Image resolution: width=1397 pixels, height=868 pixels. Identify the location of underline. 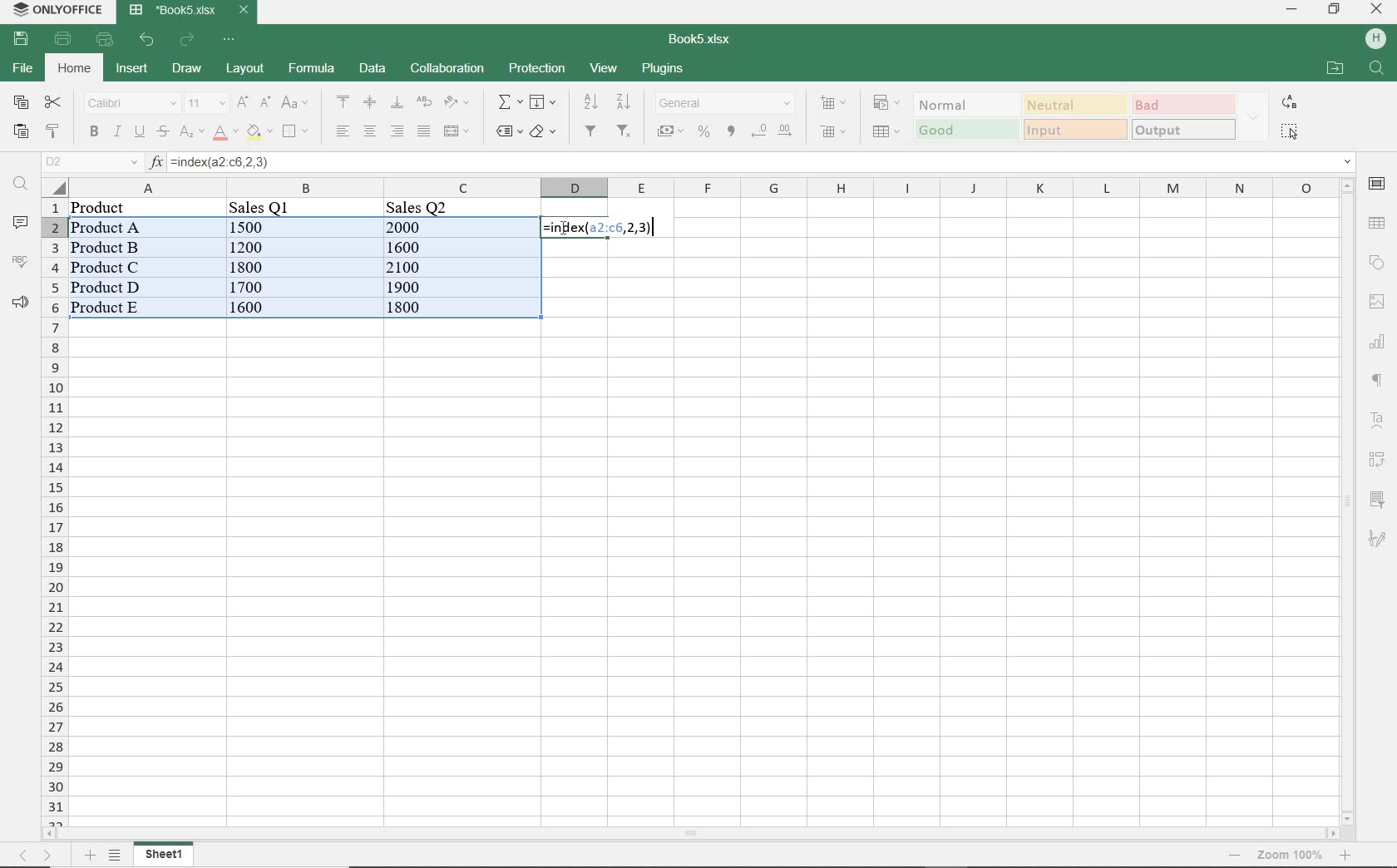
(139, 131).